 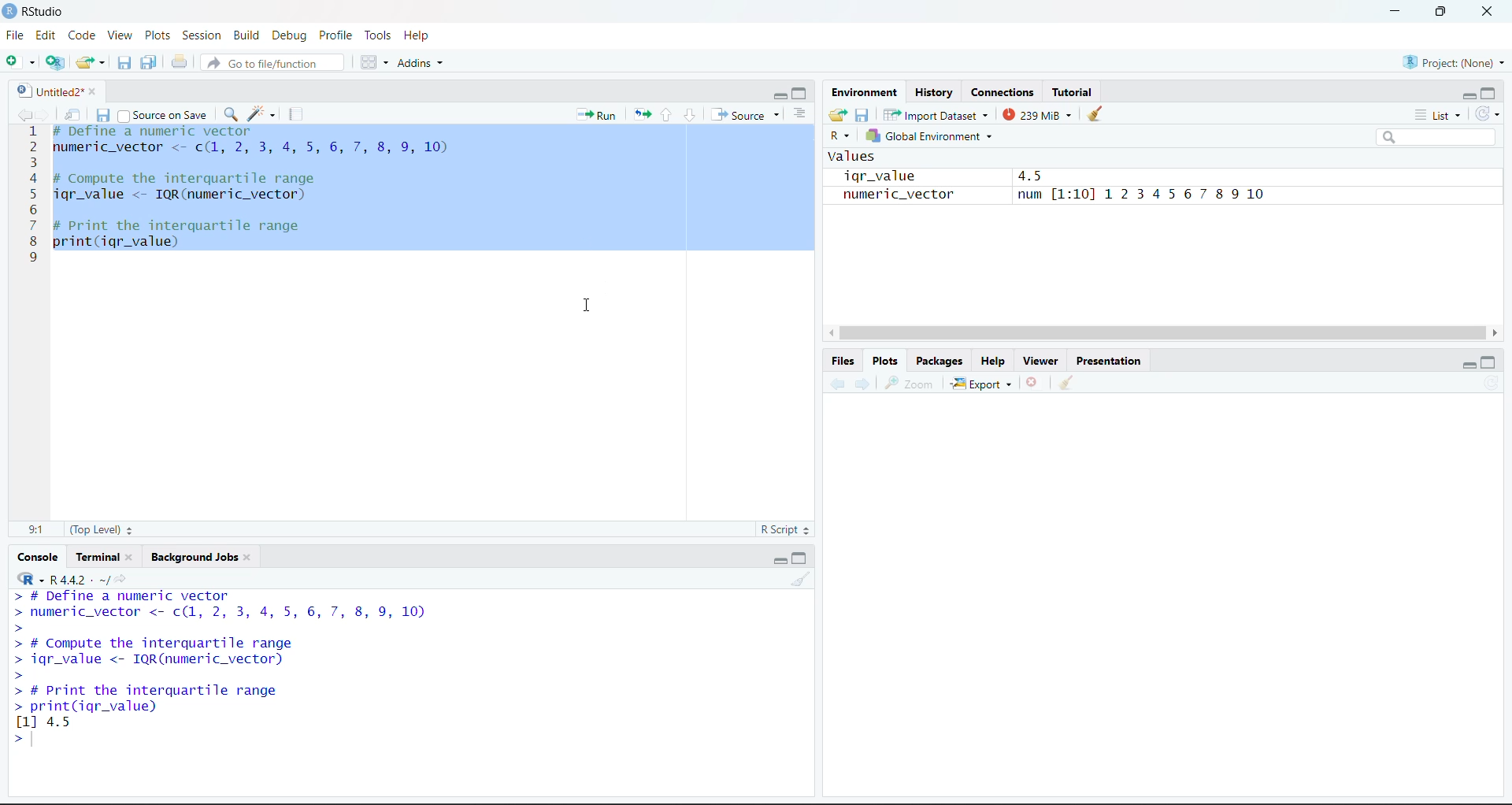 What do you see at coordinates (264, 112) in the screenshot?
I see `Code Tools` at bounding box center [264, 112].